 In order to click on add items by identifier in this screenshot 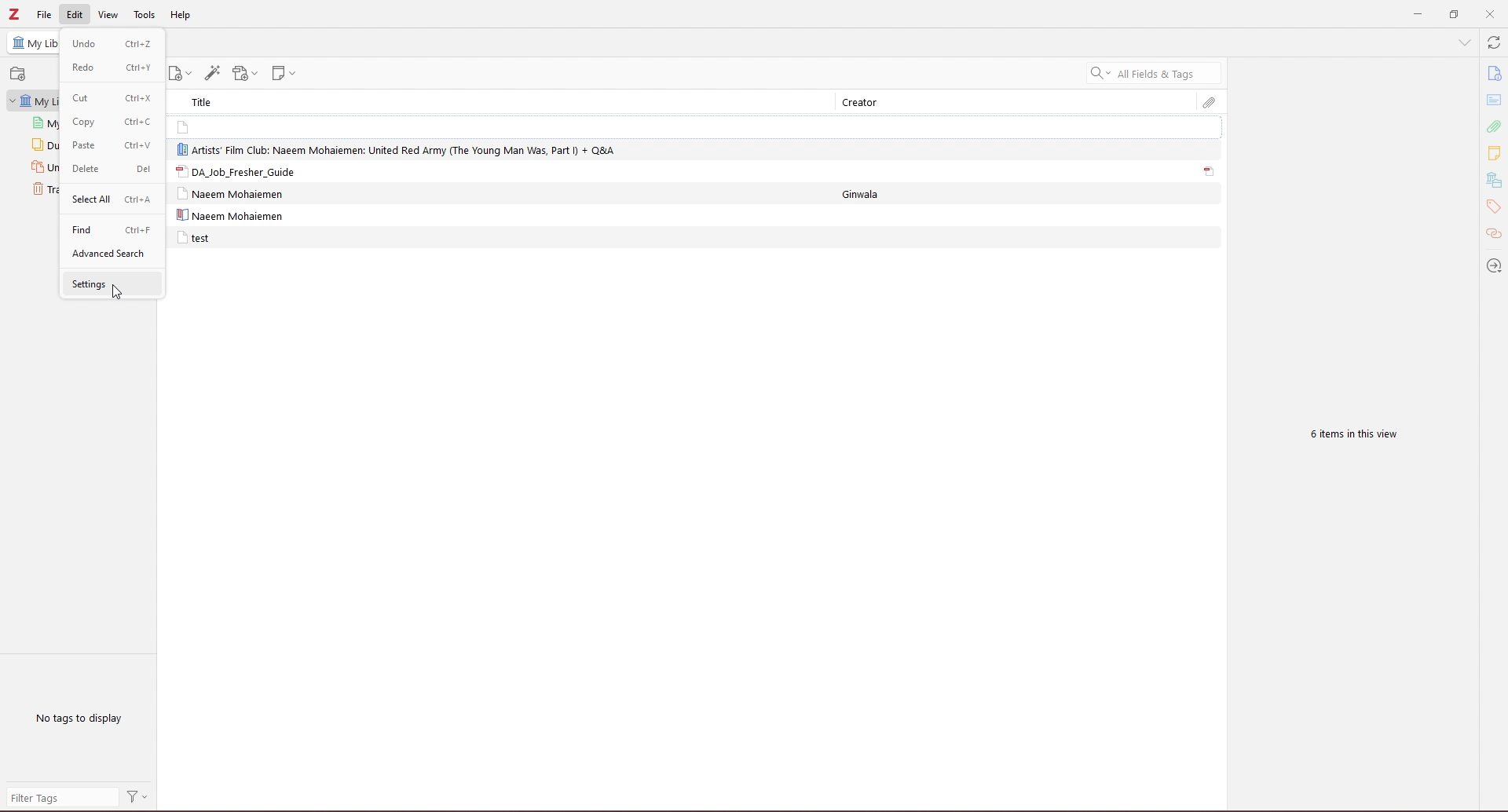, I will do `click(213, 73)`.